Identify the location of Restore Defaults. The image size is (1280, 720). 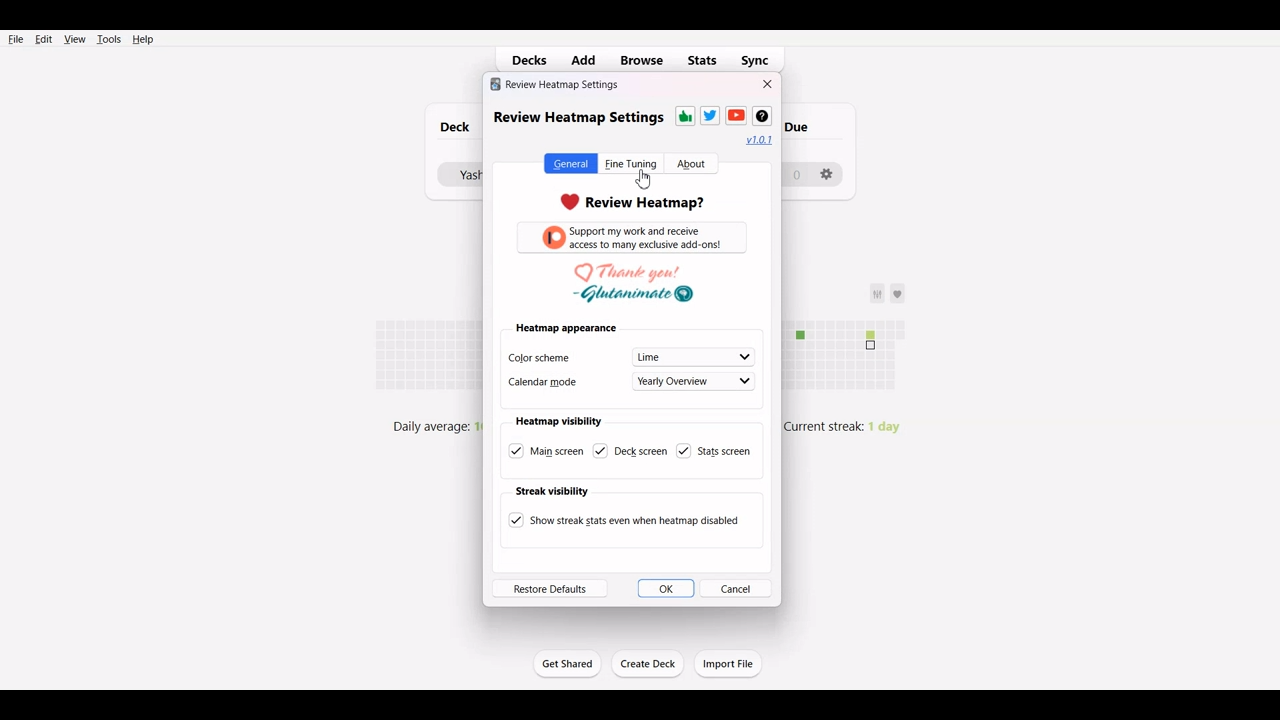
(550, 588).